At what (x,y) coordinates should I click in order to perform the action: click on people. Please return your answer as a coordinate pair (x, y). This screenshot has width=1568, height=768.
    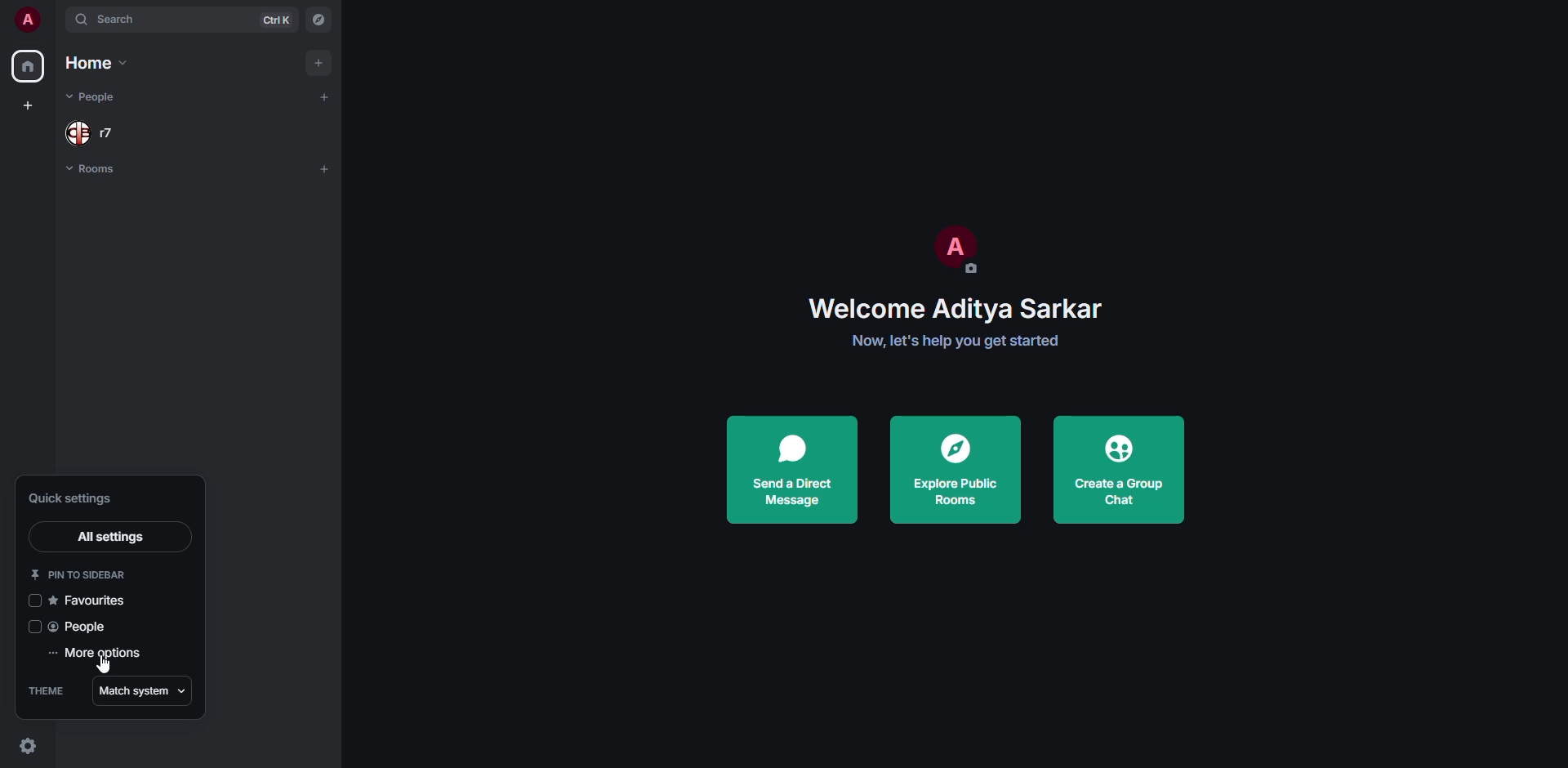
    Looking at the image, I should click on (91, 98).